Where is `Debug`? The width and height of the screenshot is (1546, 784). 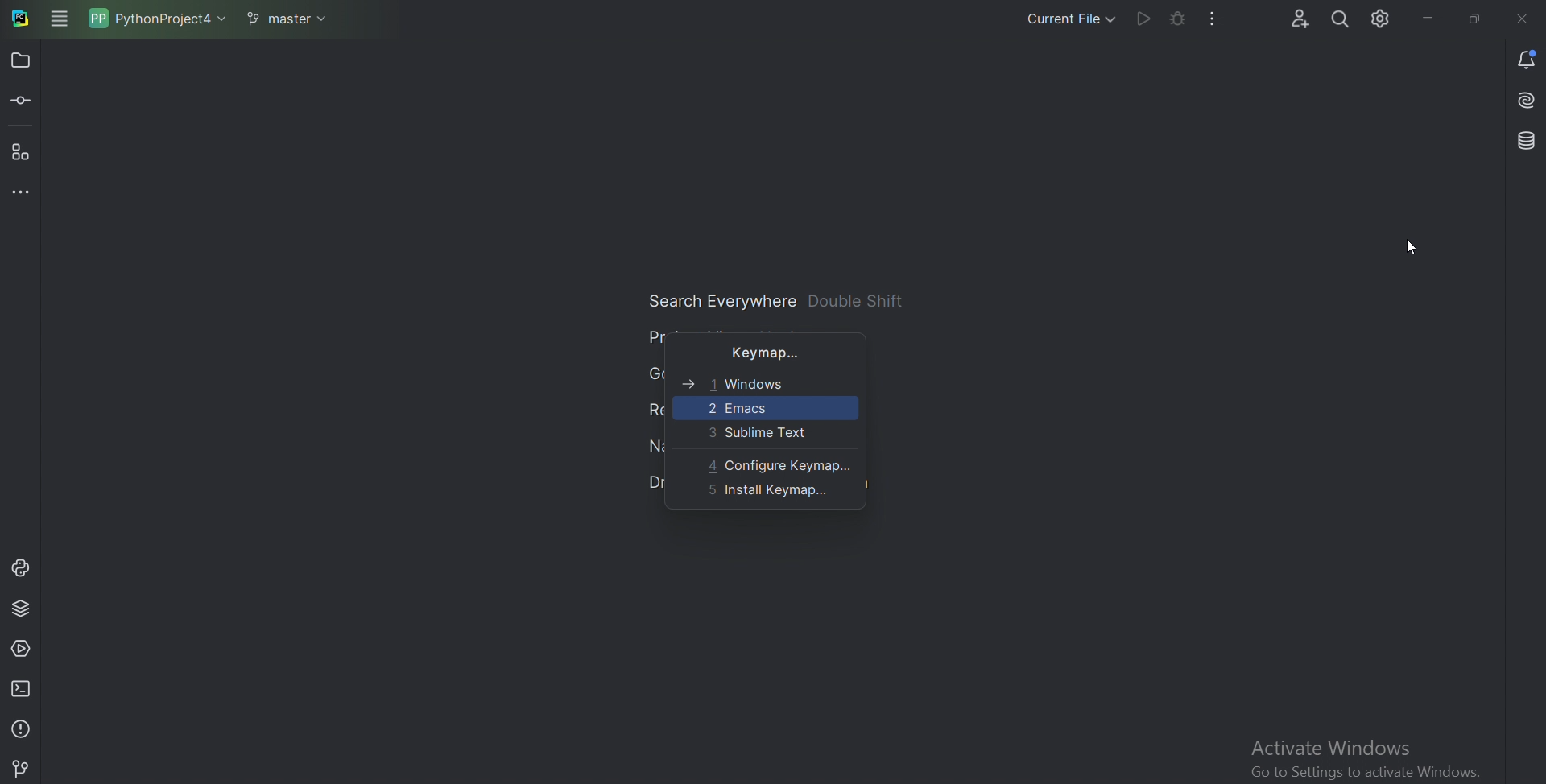 Debug is located at coordinates (1178, 18).